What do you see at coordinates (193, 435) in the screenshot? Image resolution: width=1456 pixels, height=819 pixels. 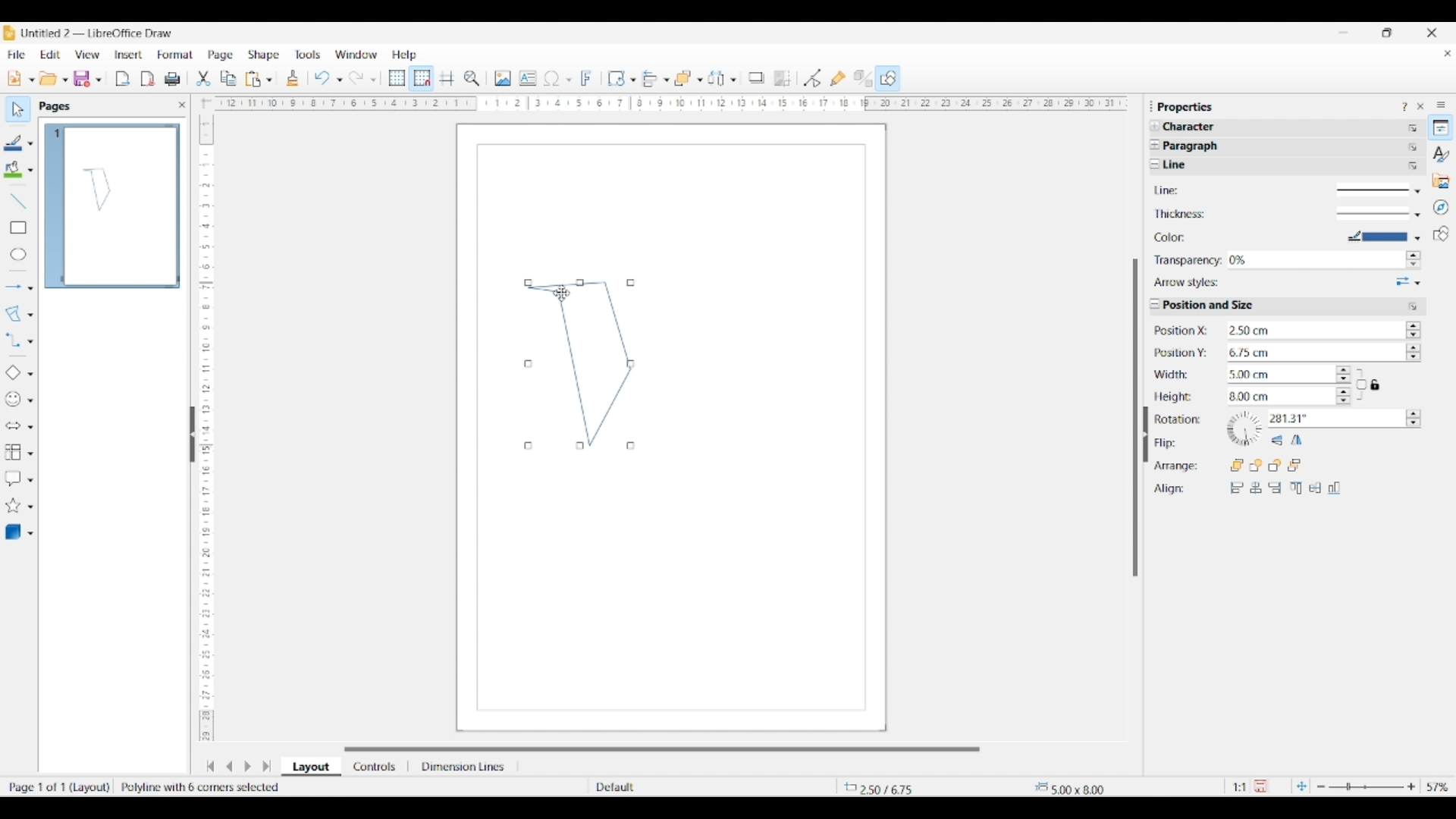 I see `Hide left sidebar` at bounding box center [193, 435].